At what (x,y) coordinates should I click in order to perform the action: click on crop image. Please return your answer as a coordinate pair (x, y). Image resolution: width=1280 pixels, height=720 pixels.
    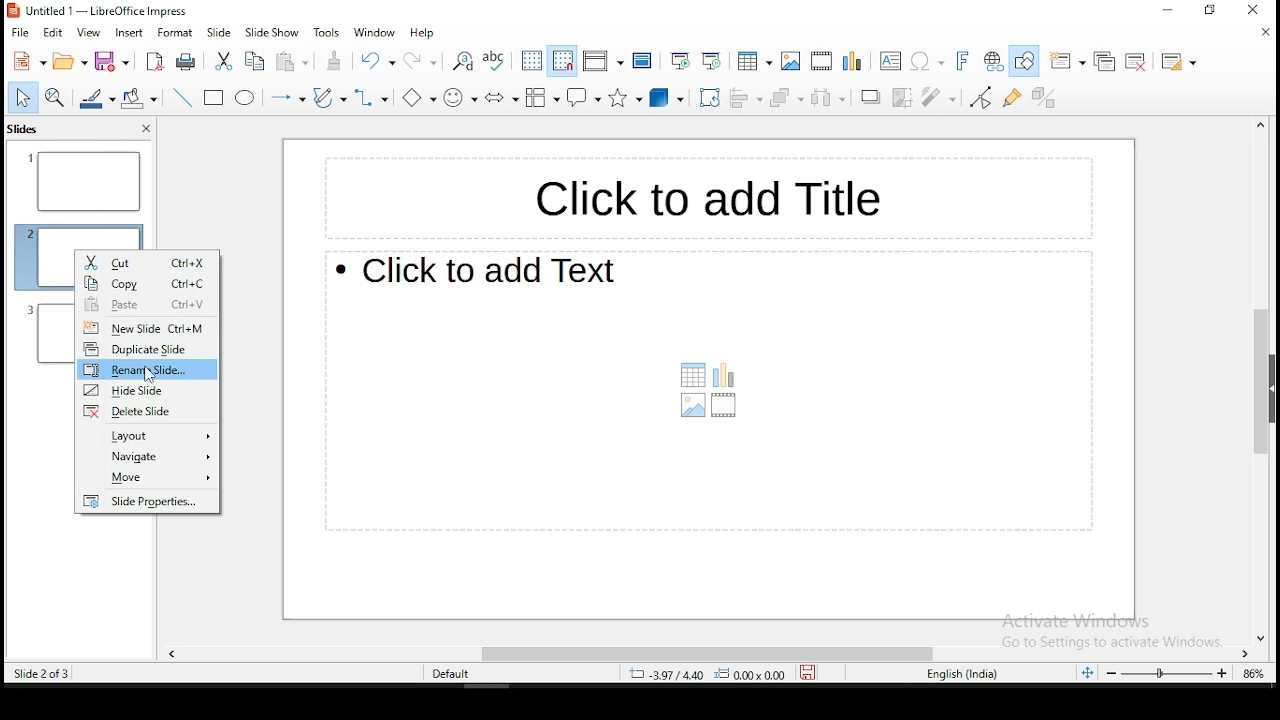
    Looking at the image, I should click on (904, 97).